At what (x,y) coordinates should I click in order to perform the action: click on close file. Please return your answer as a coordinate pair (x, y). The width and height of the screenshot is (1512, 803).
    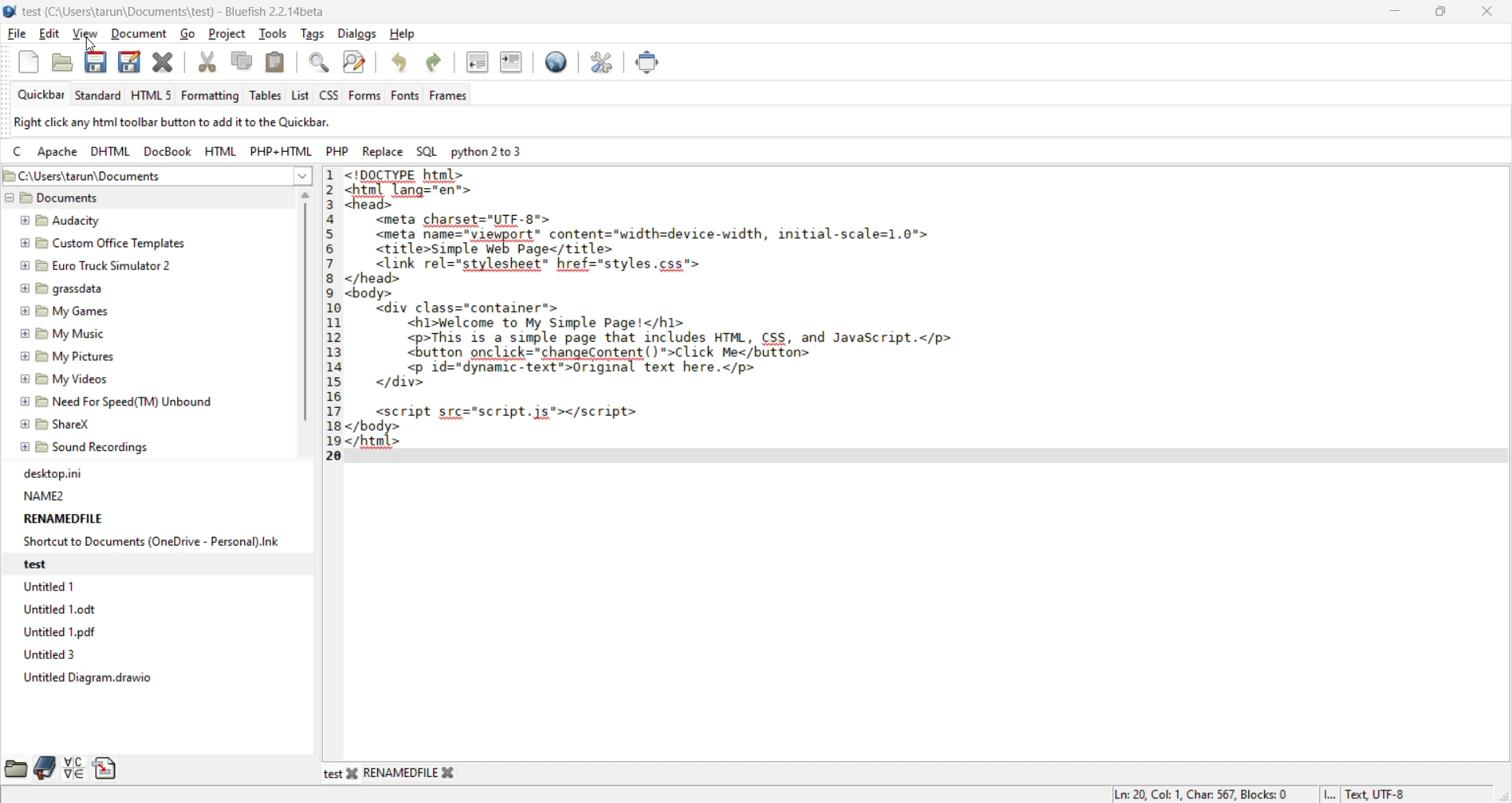
    Looking at the image, I should click on (166, 65).